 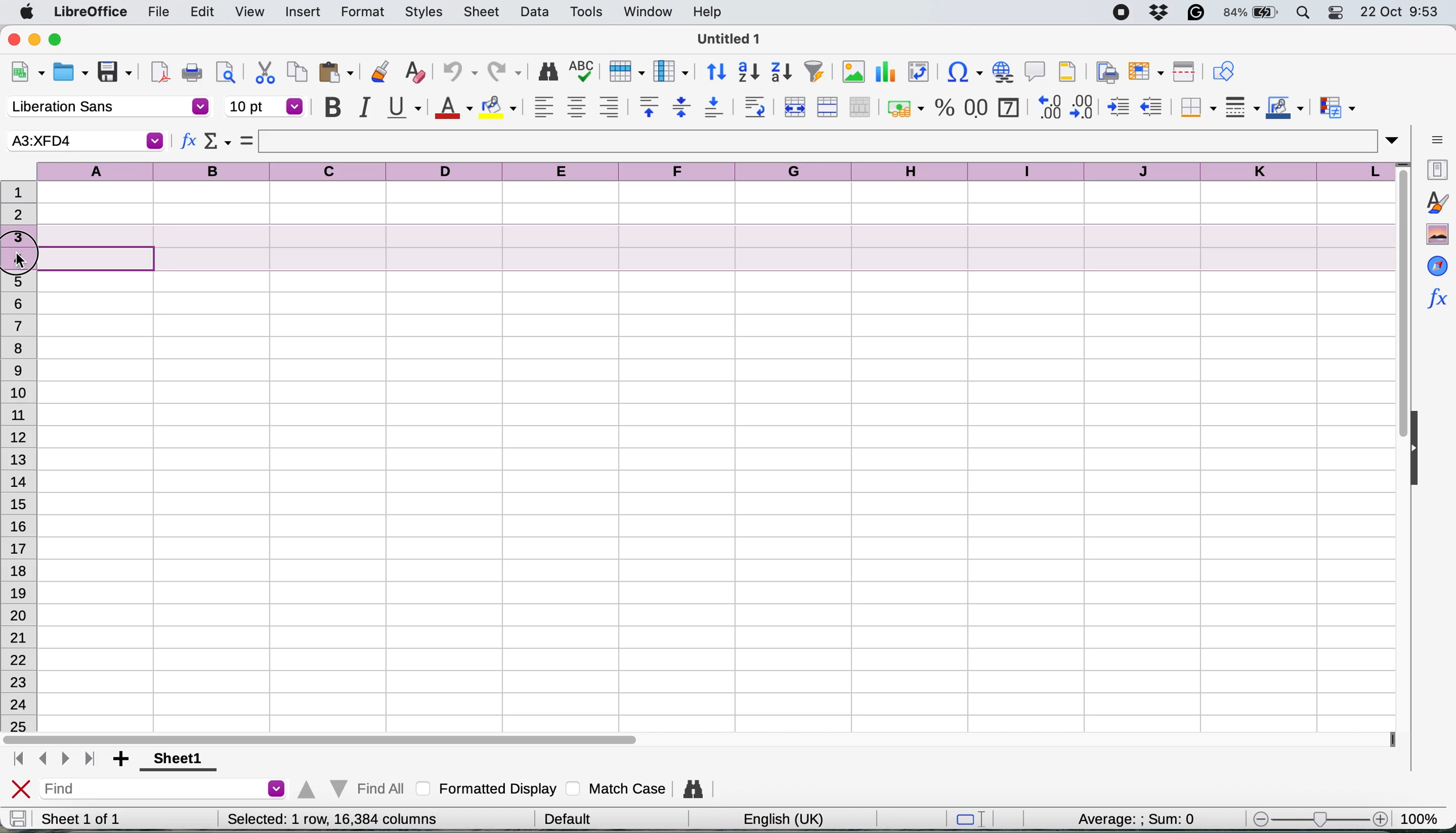 I want to click on sheet 1 of 1, so click(x=81, y=819).